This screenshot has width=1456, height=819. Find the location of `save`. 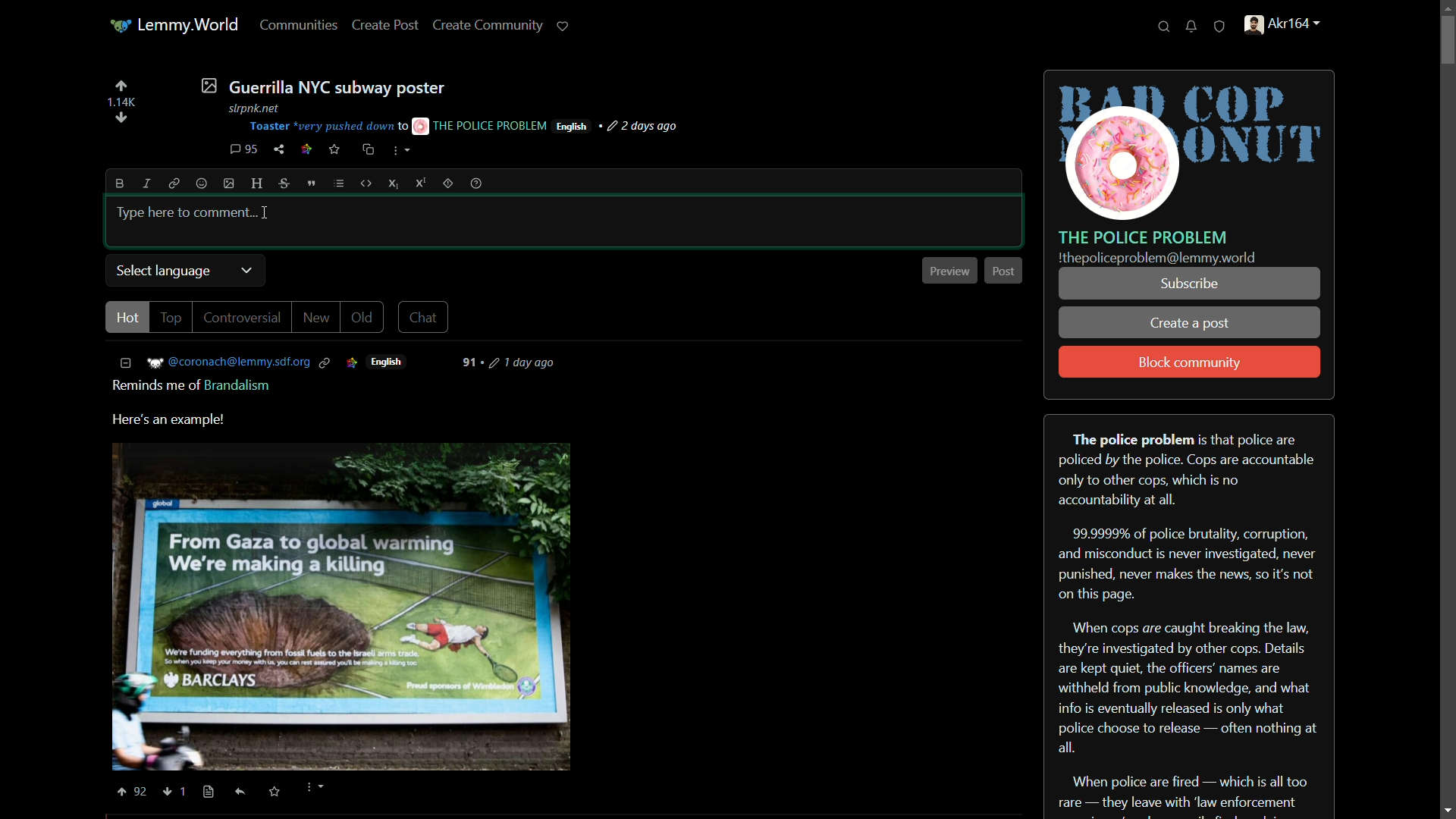

save is located at coordinates (335, 149).